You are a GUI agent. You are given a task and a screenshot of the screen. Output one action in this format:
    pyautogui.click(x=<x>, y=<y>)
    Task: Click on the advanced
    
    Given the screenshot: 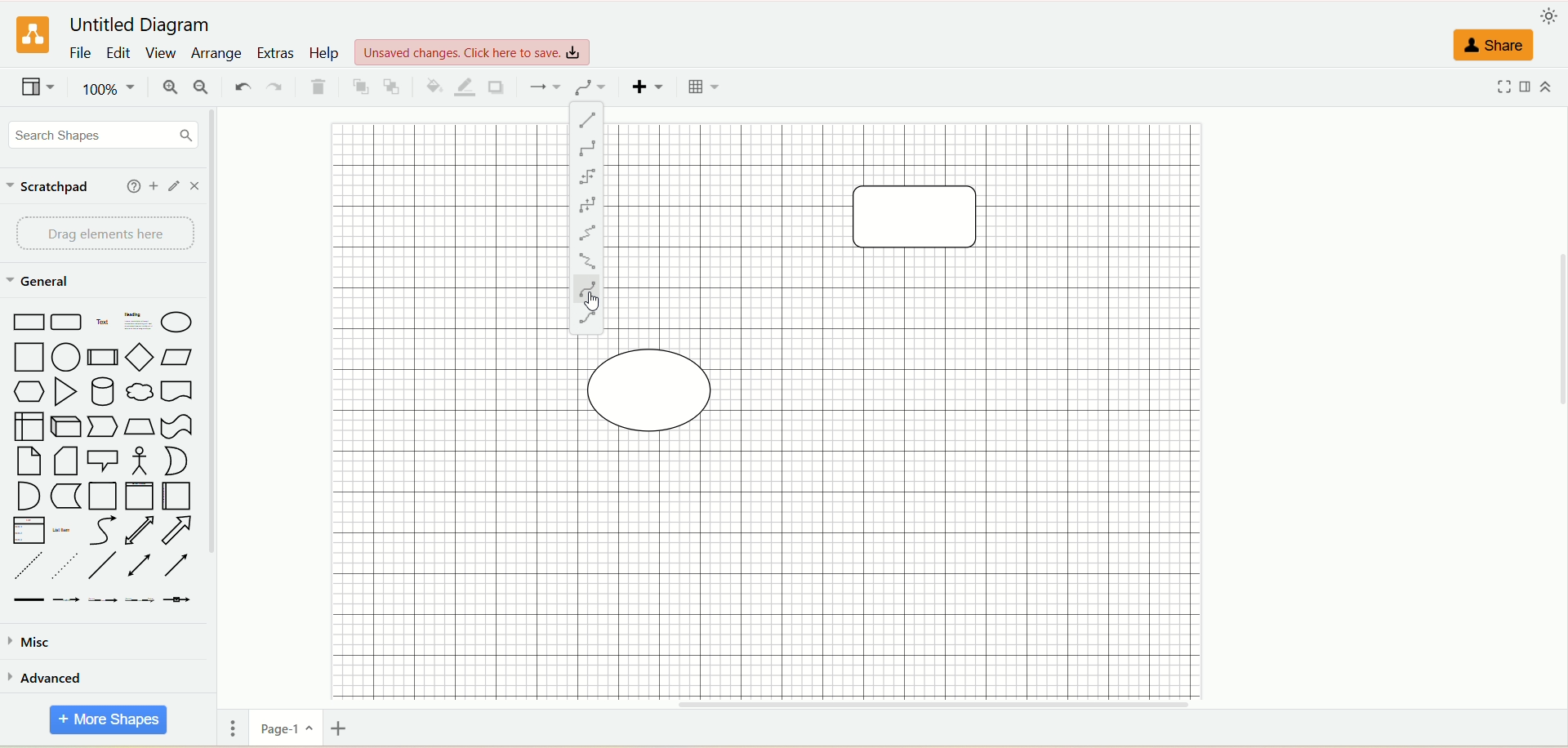 What is the action you would take?
    pyautogui.click(x=47, y=677)
    